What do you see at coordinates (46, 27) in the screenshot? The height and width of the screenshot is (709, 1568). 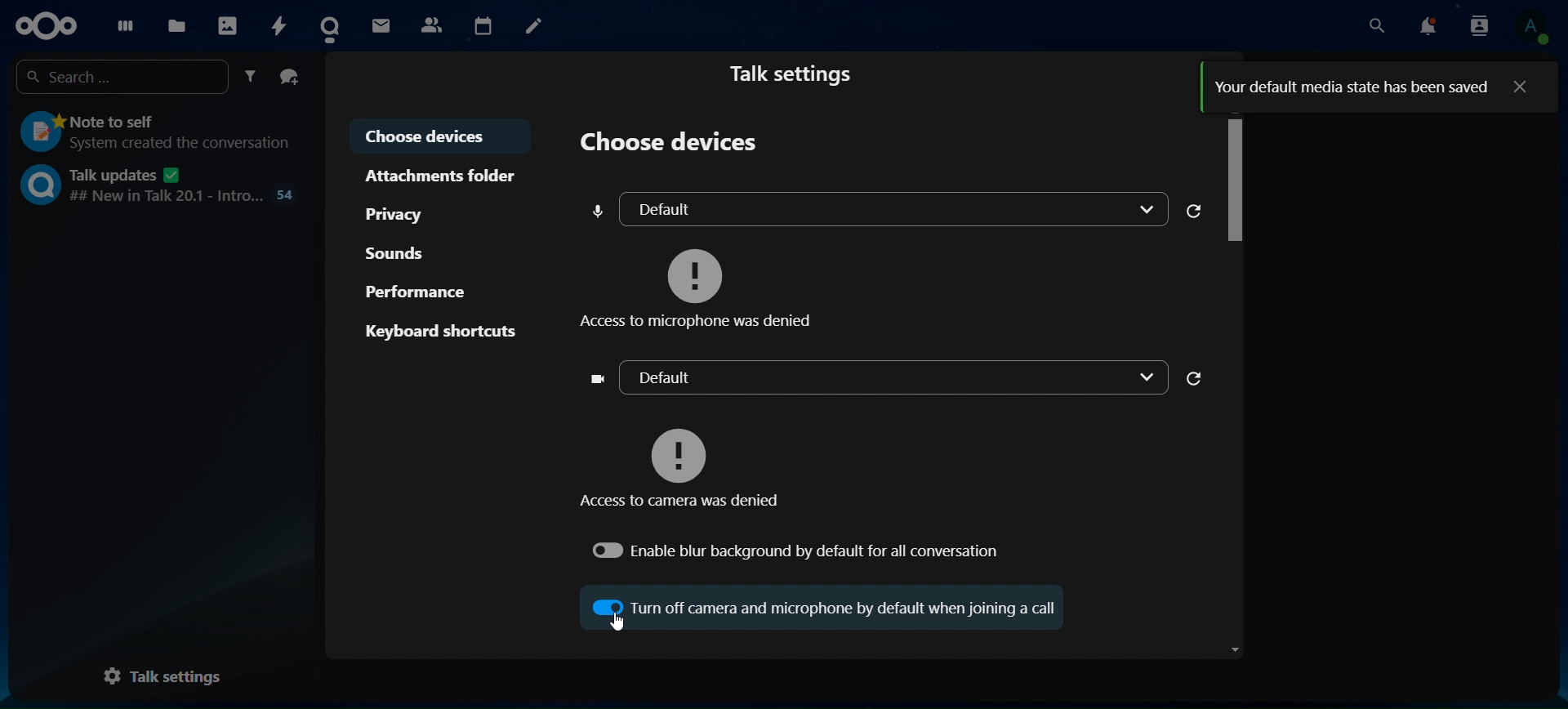 I see `icon` at bounding box center [46, 27].